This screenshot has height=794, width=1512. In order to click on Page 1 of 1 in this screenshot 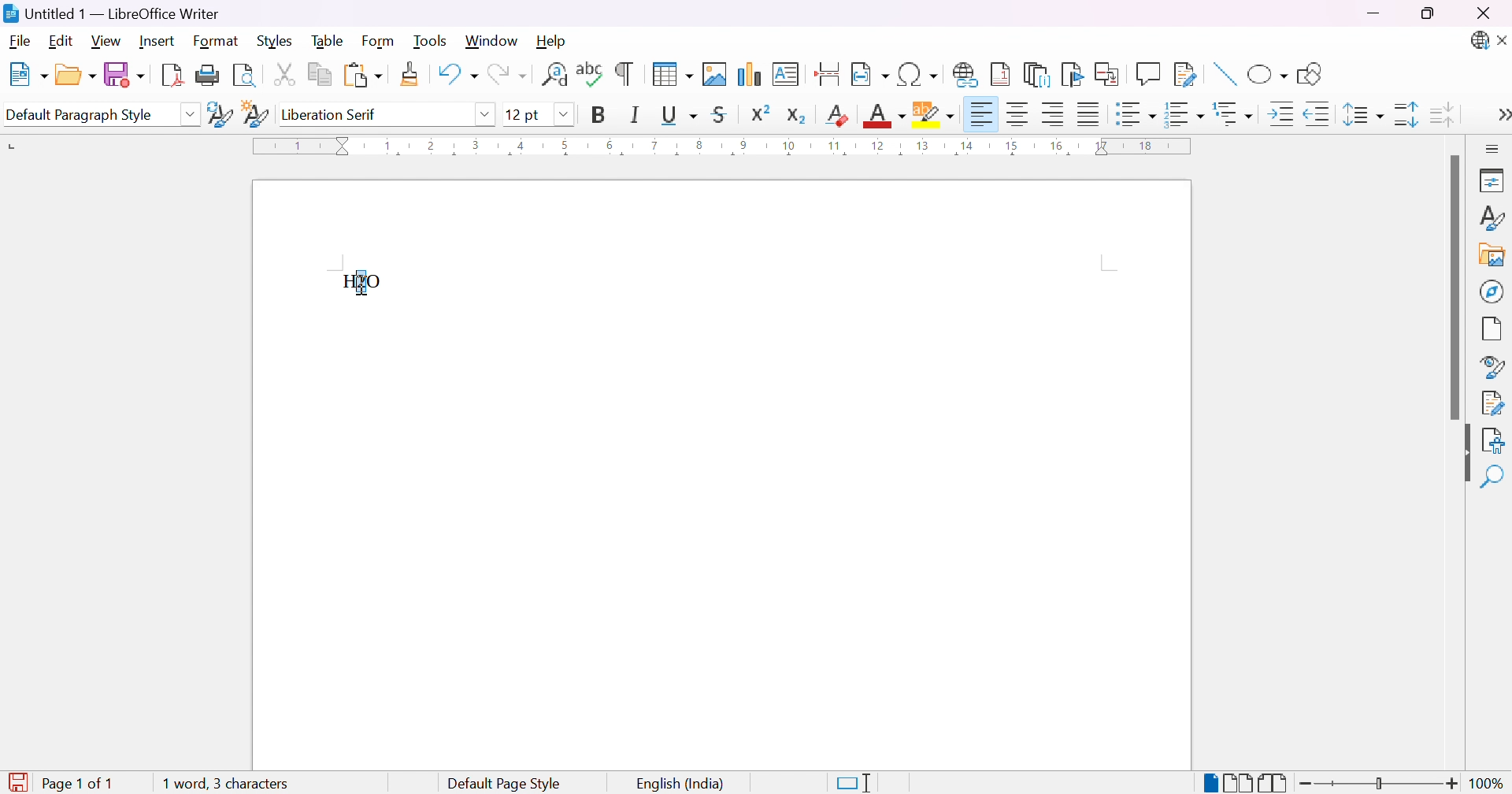, I will do `click(61, 784)`.